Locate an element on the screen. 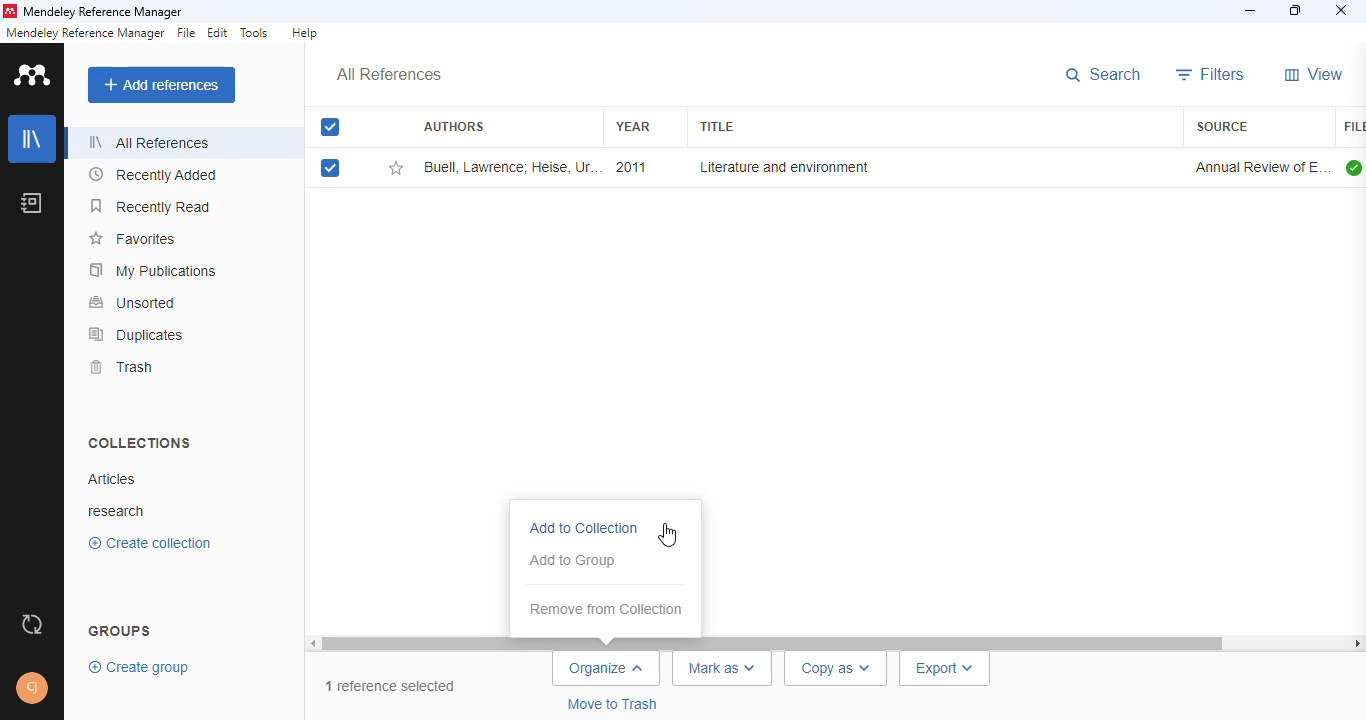  articles collection created is located at coordinates (111, 479).